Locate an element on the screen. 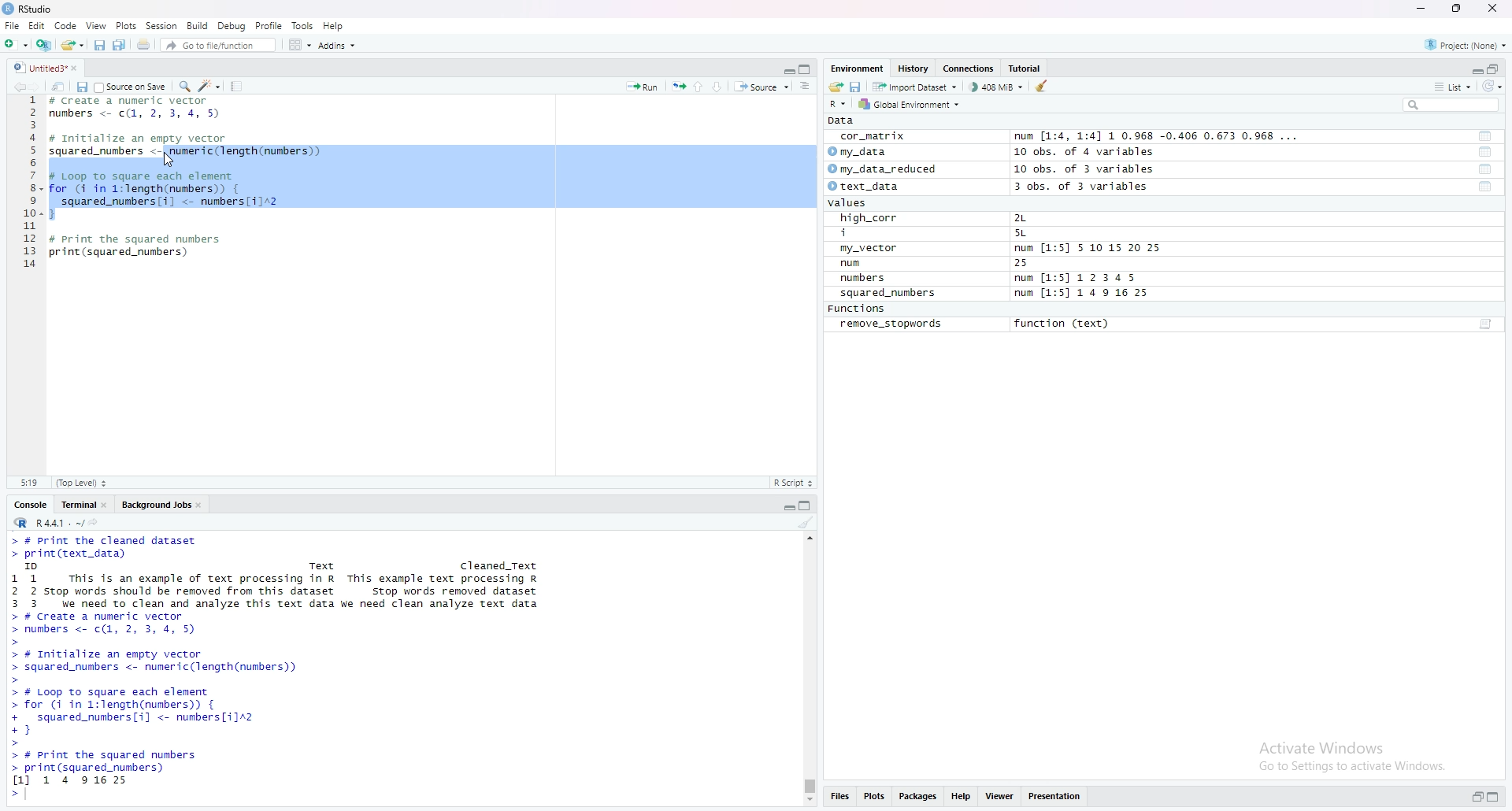 This screenshot has width=1512, height=811. cursor is located at coordinates (170, 160).